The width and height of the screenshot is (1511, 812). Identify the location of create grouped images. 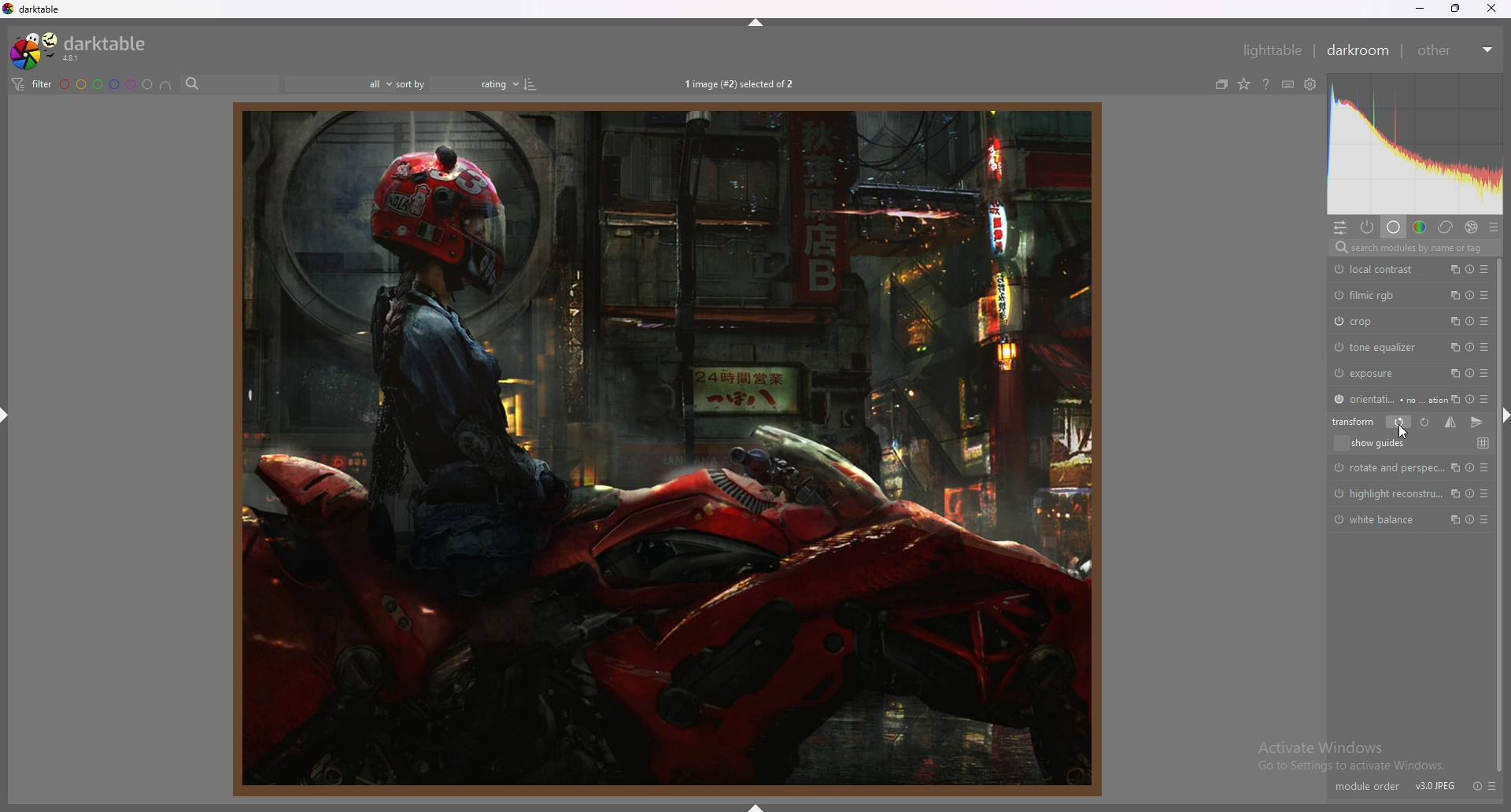
(1223, 83).